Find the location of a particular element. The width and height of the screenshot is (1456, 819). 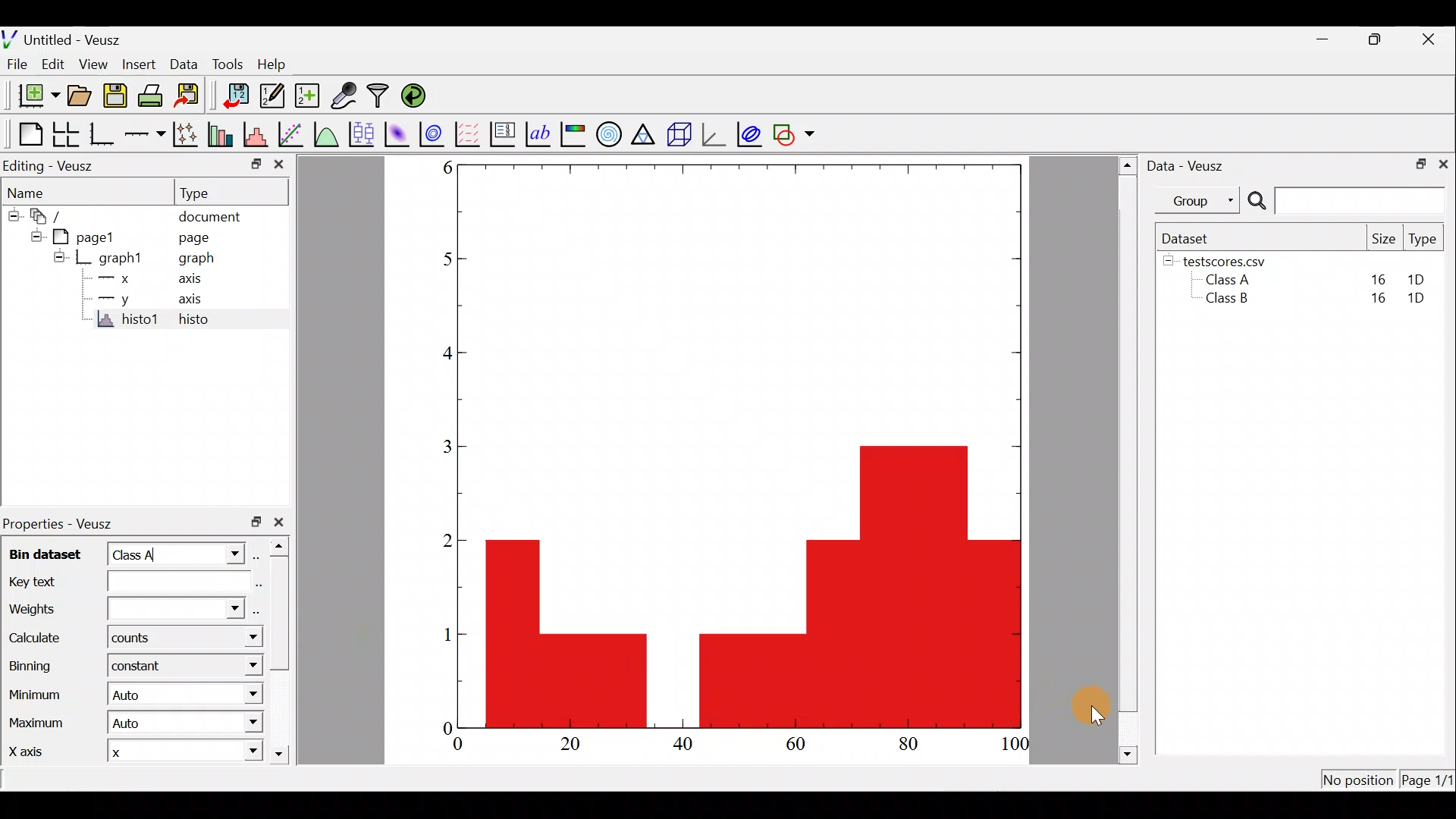

Plot a 2d dataset as an image is located at coordinates (396, 132).